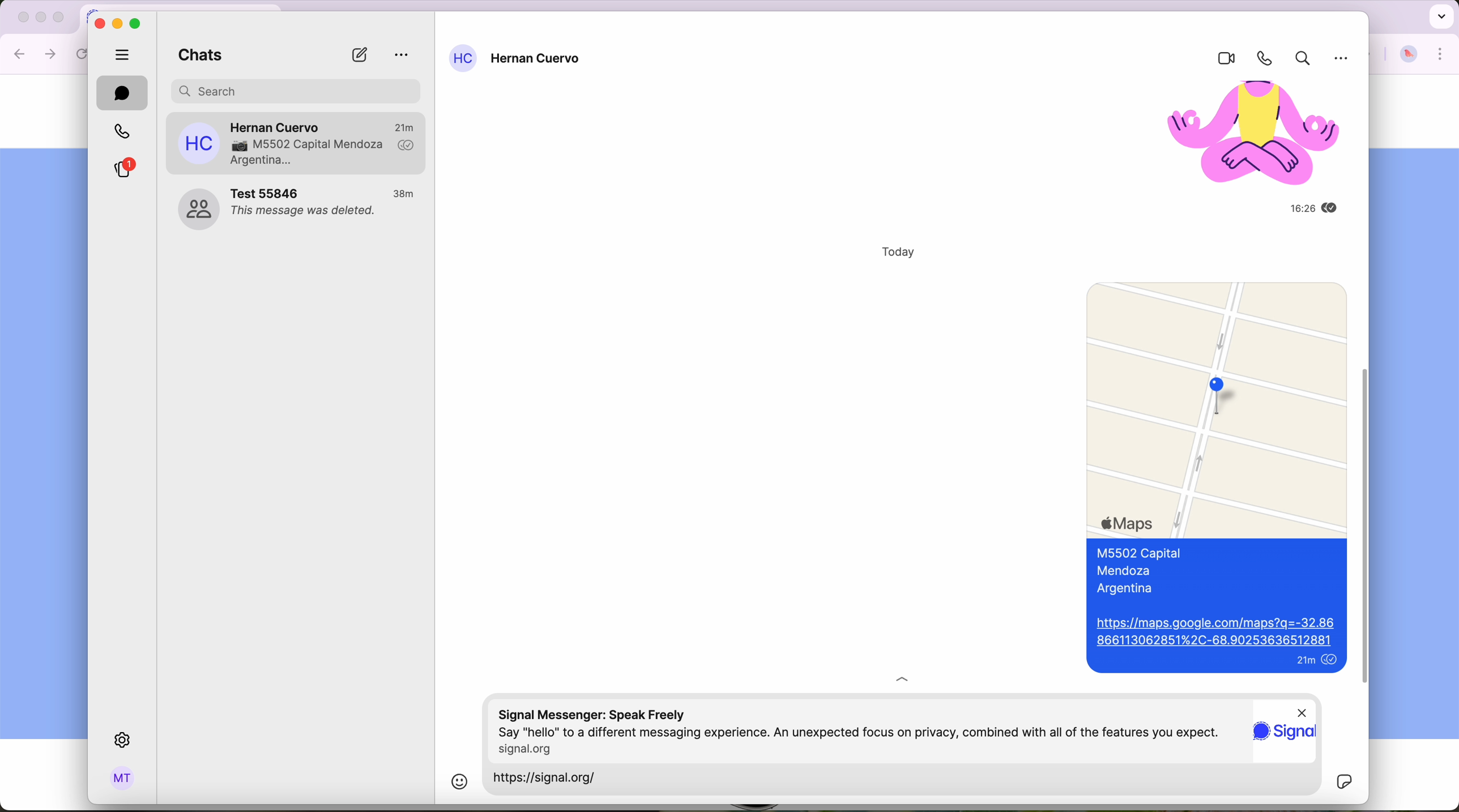  What do you see at coordinates (359, 55) in the screenshot?
I see `new chat` at bounding box center [359, 55].